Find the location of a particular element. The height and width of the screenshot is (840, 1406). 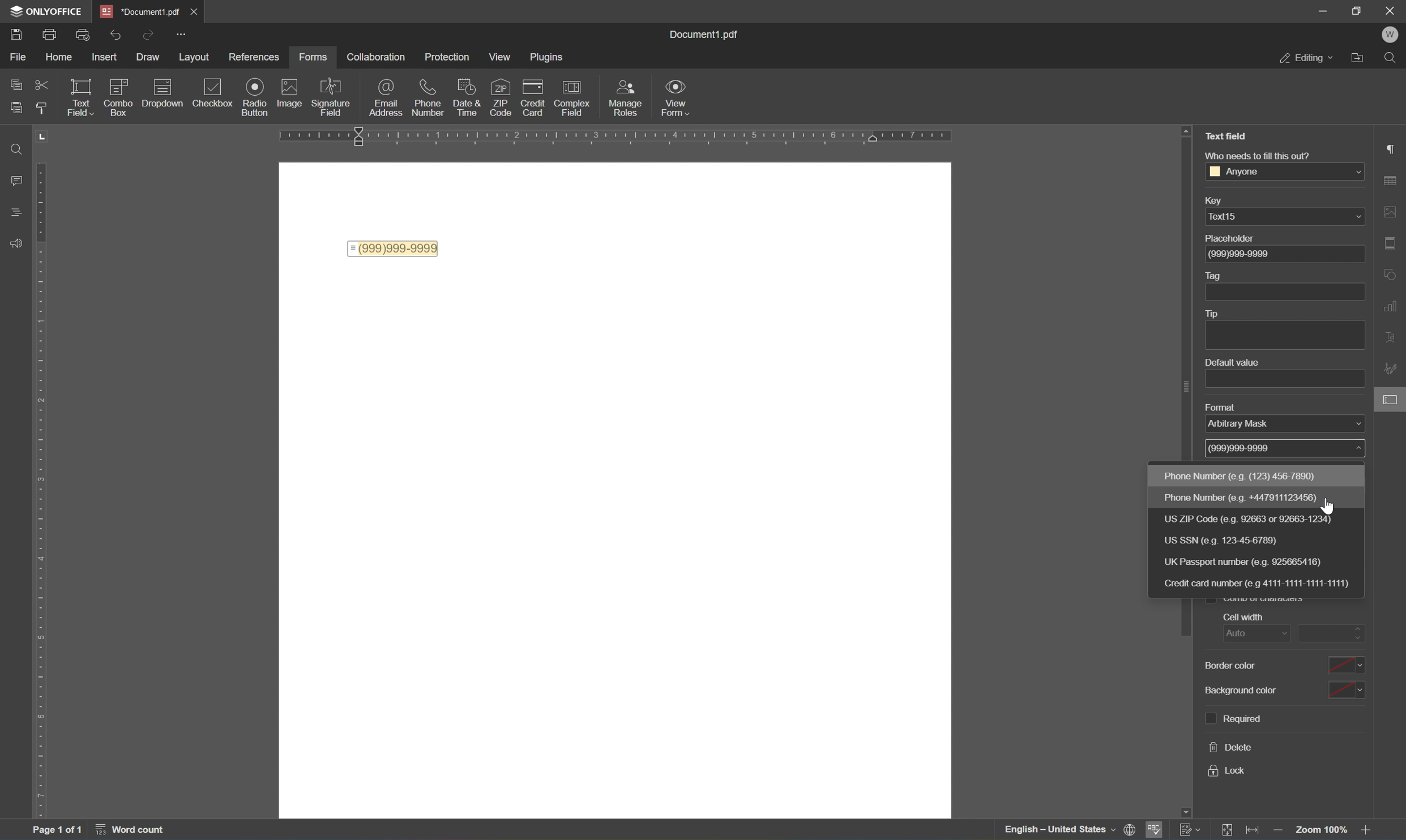

border color is located at coordinates (1281, 666).